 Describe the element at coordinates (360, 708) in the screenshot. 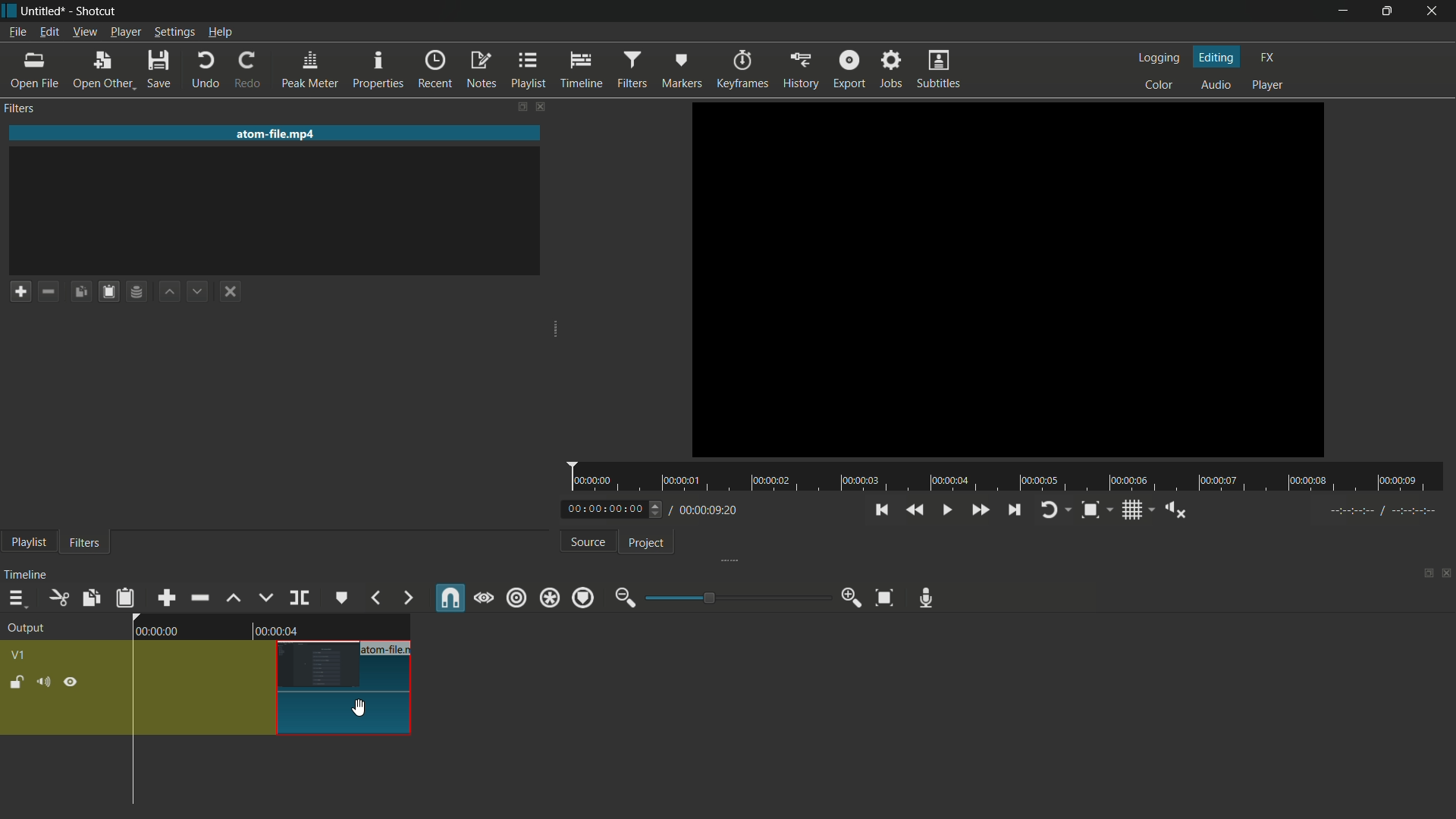

I see `cursor` at that location.